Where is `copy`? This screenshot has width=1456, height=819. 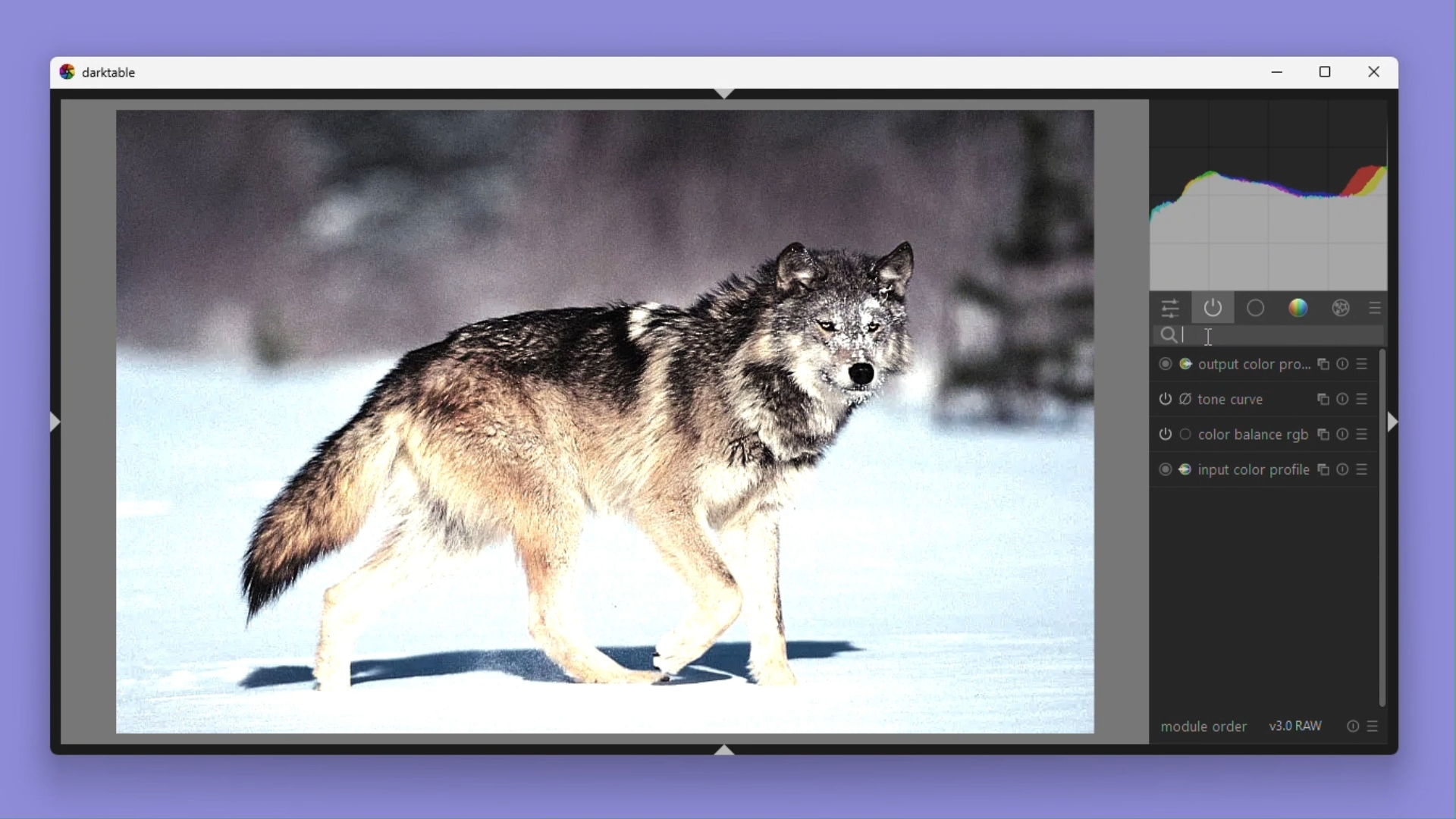
copy is located at coordinates (1323, 399).